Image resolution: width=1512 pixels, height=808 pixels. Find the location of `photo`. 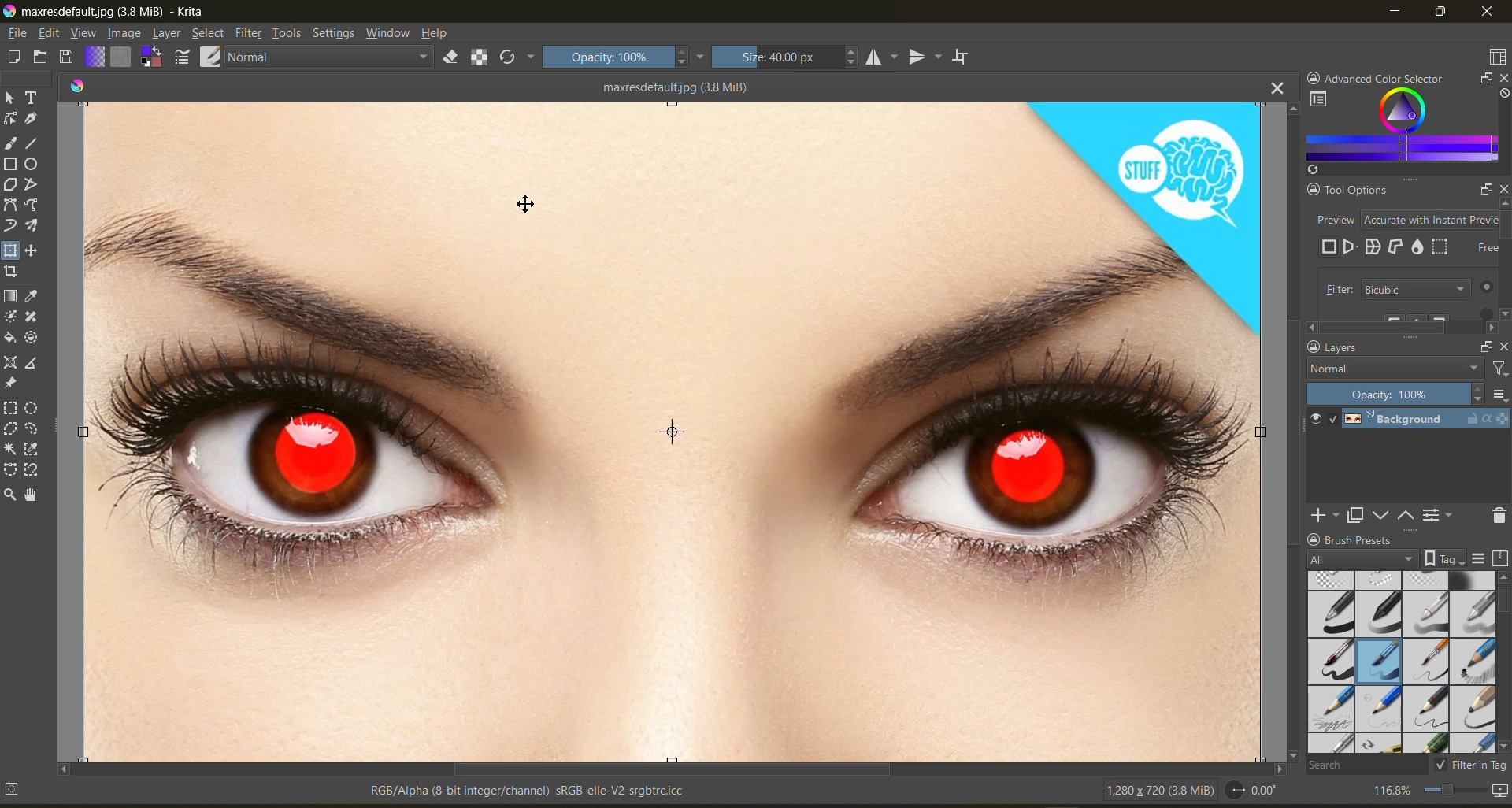

photo is located at coordinates (675, 426).